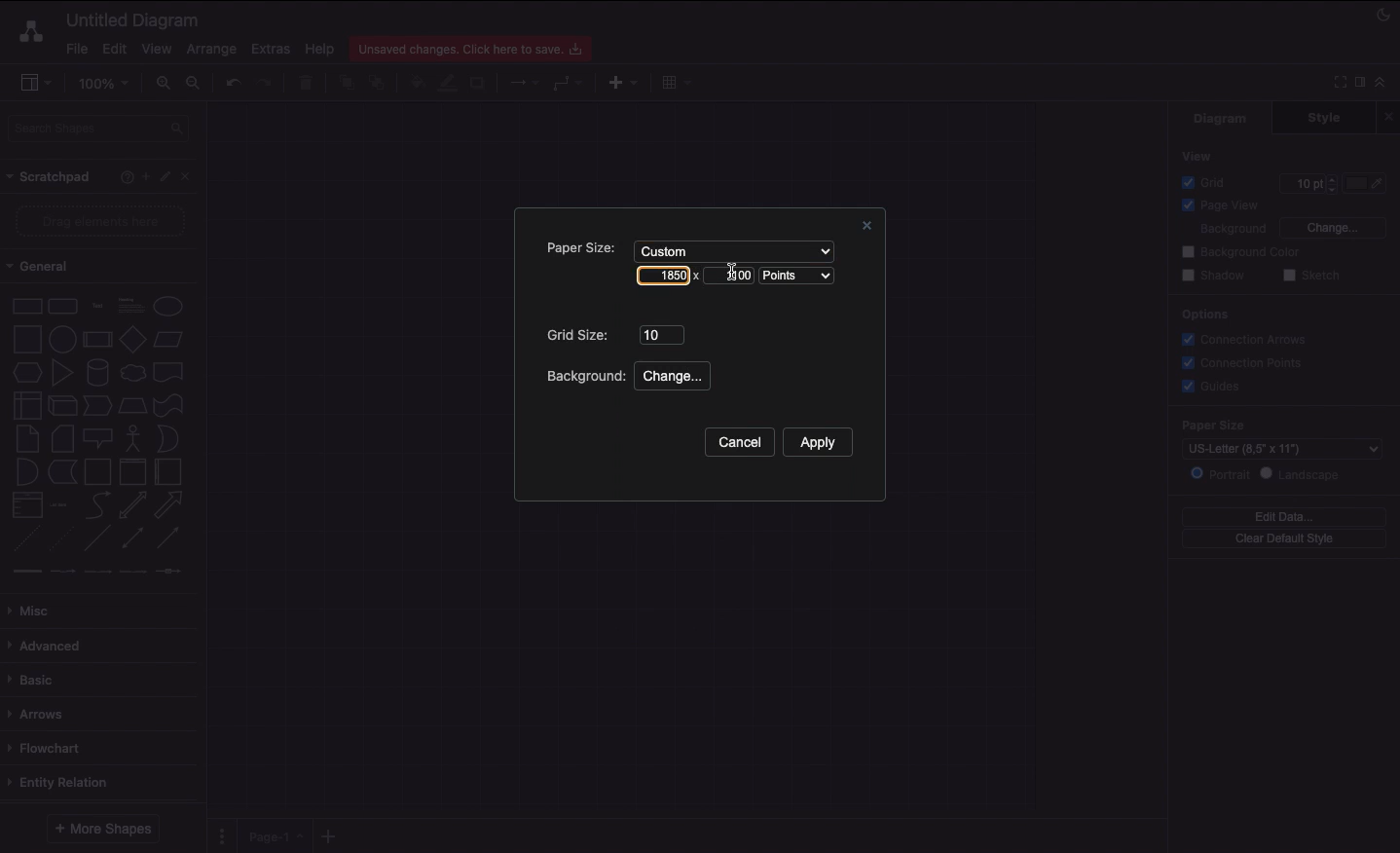  Describe the element at coordinates (264, 84) in the screenshot. I see `Redo` at that location.